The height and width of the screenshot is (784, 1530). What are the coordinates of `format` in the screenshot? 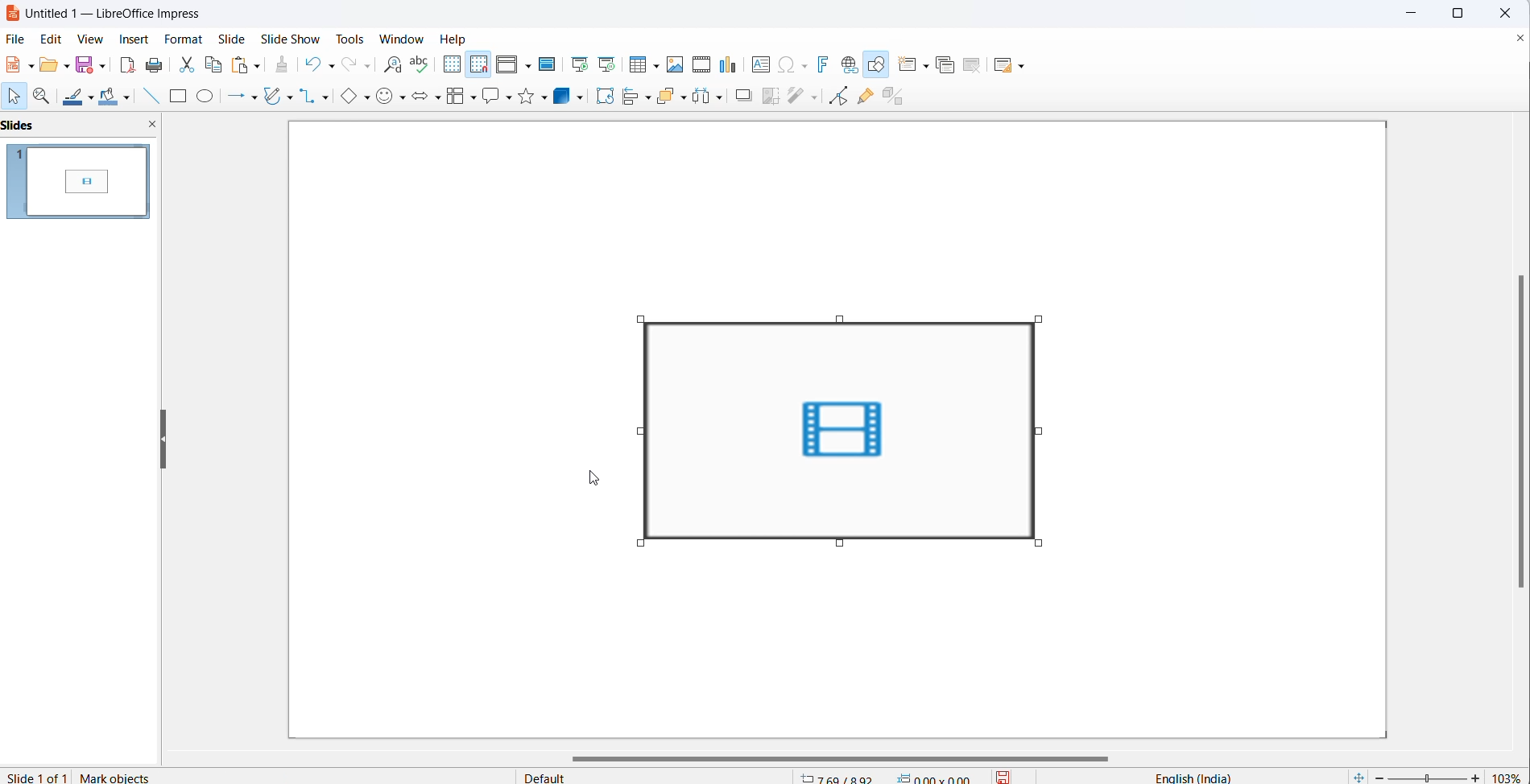 It's located at (184, 38).